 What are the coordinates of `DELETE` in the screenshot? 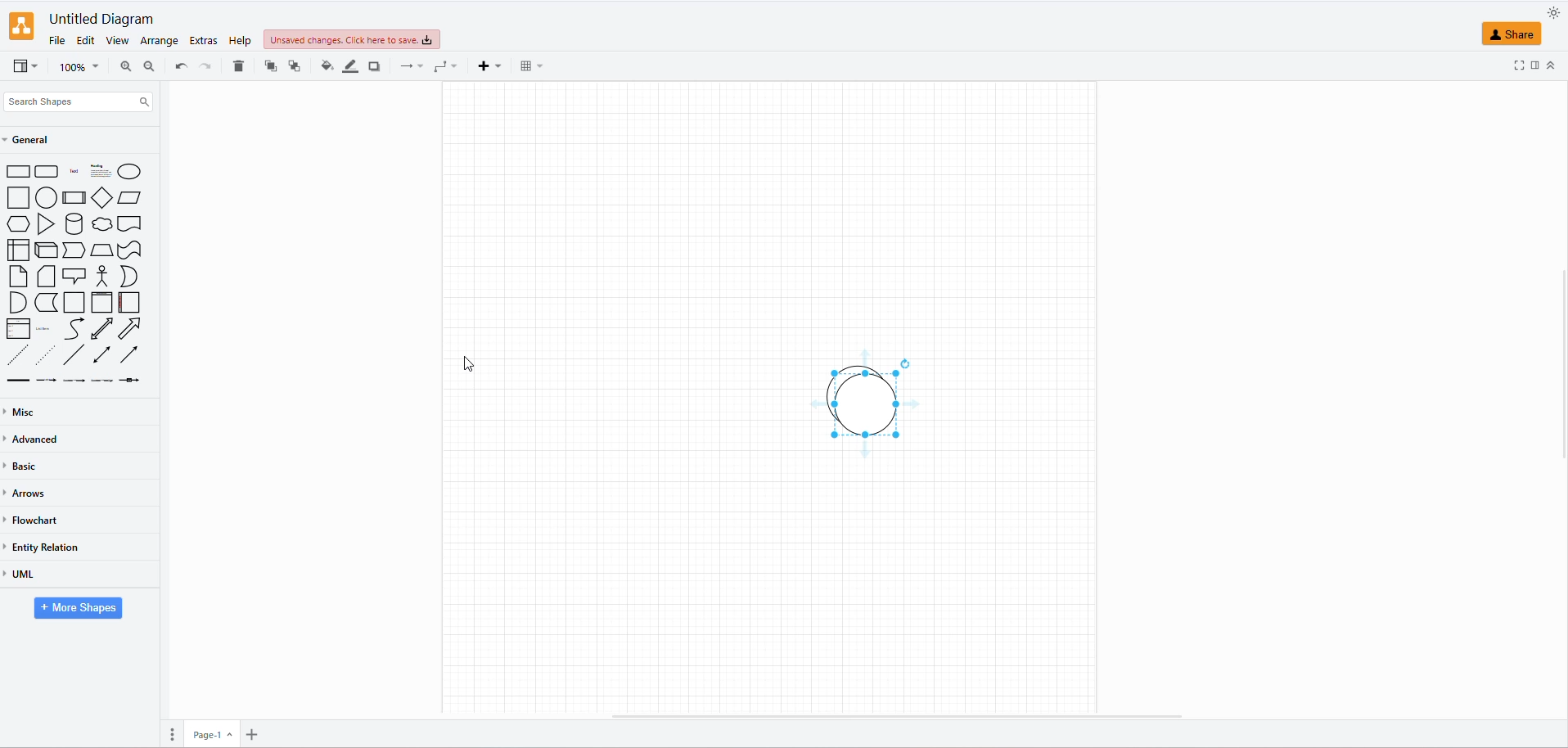 It's located at (237, 68).